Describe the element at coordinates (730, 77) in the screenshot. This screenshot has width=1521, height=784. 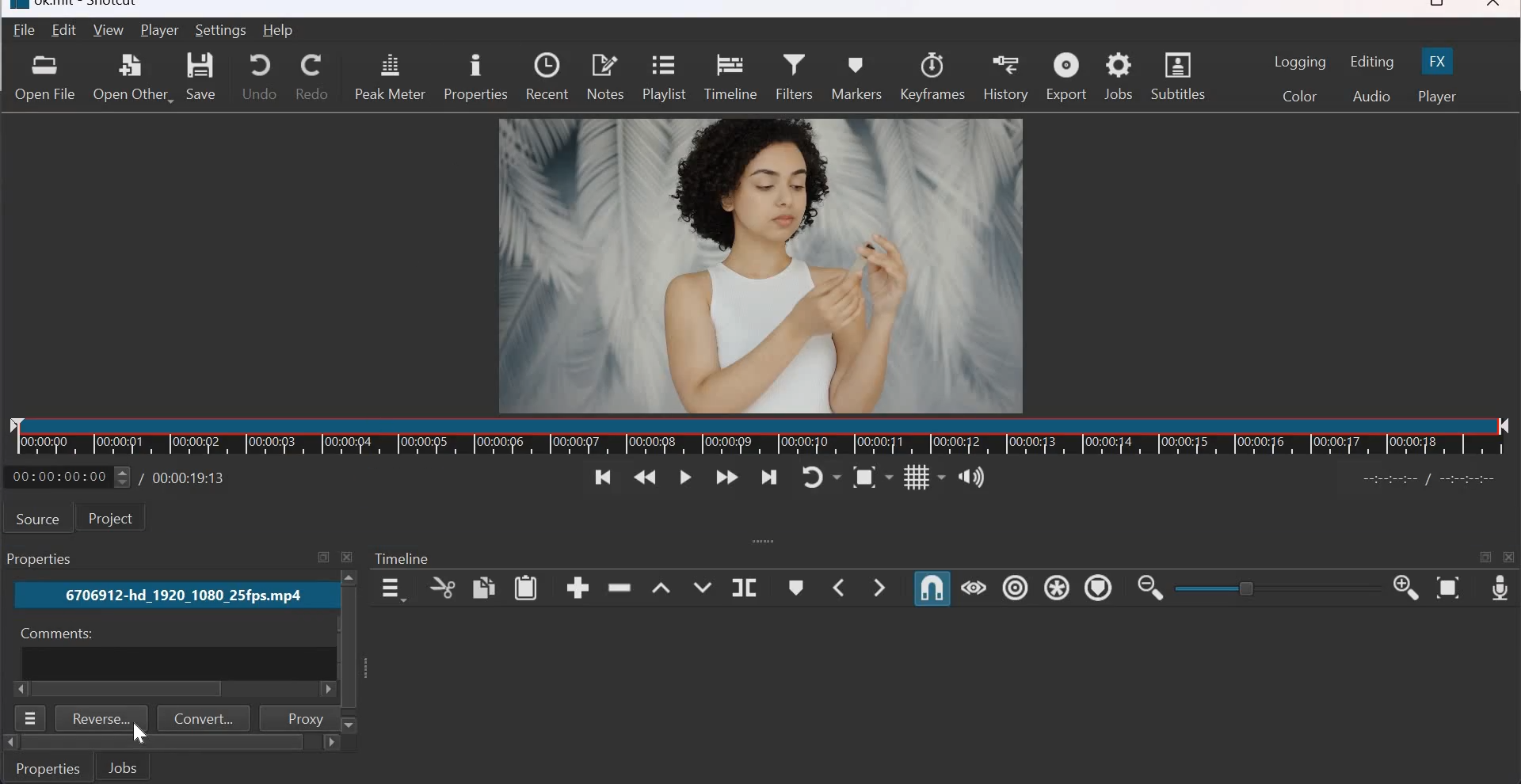
I see `Timeline` at that location.